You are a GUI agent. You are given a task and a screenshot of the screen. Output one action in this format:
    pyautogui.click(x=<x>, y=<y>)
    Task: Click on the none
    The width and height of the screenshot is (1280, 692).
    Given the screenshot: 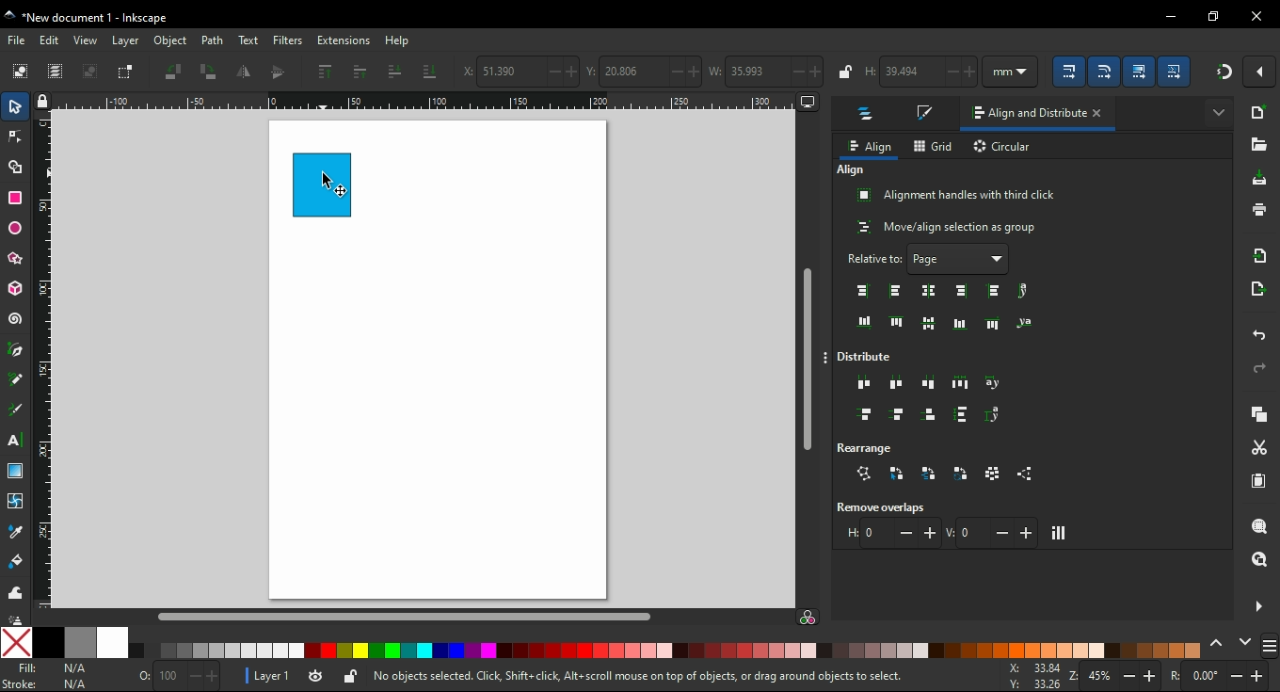 What is the action you would take?
    pyautogui.click(x=17, y=642)
    